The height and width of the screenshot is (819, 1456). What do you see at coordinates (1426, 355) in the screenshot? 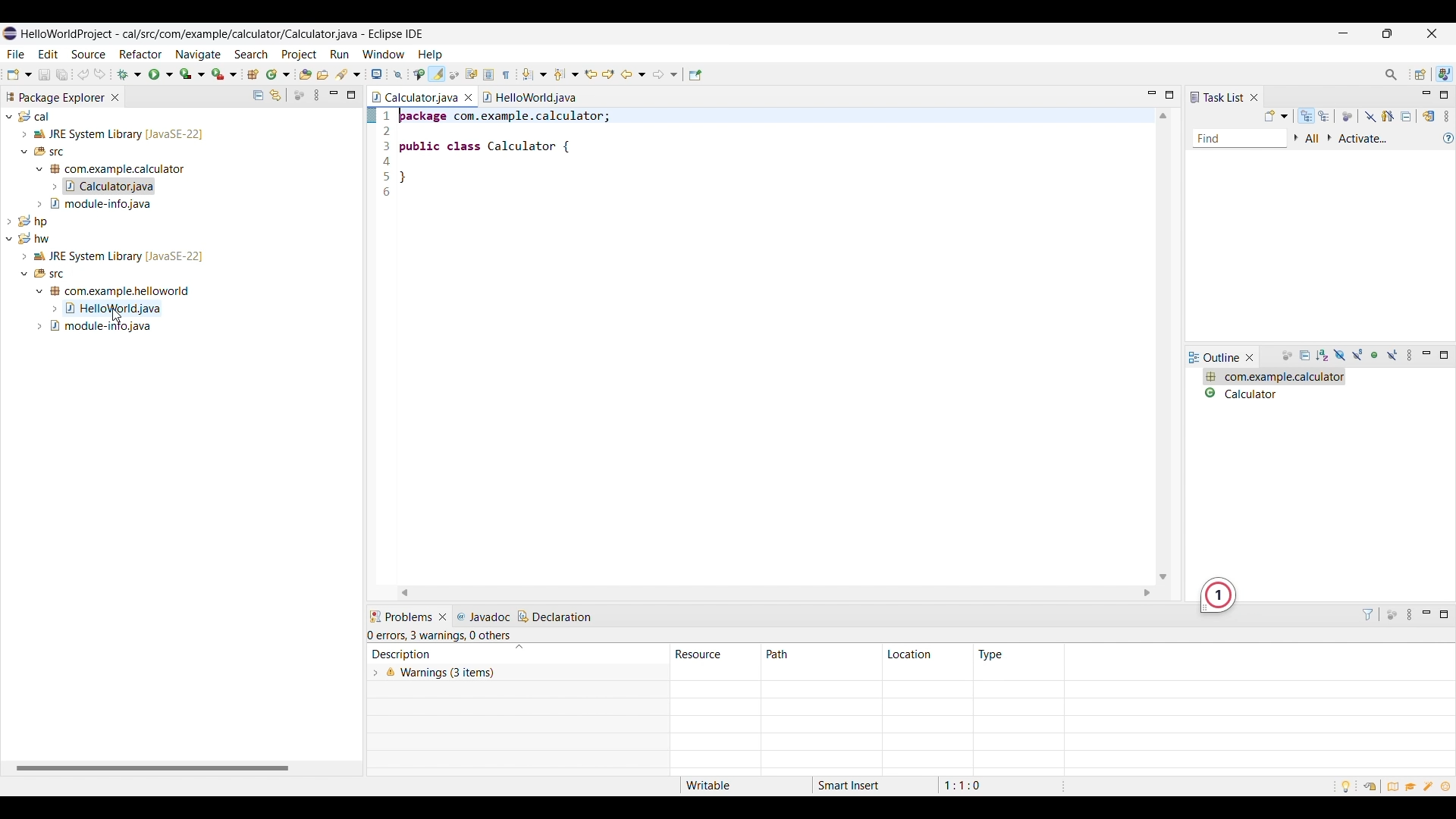
I see `Minimize` at bounding box center [1426, 355].